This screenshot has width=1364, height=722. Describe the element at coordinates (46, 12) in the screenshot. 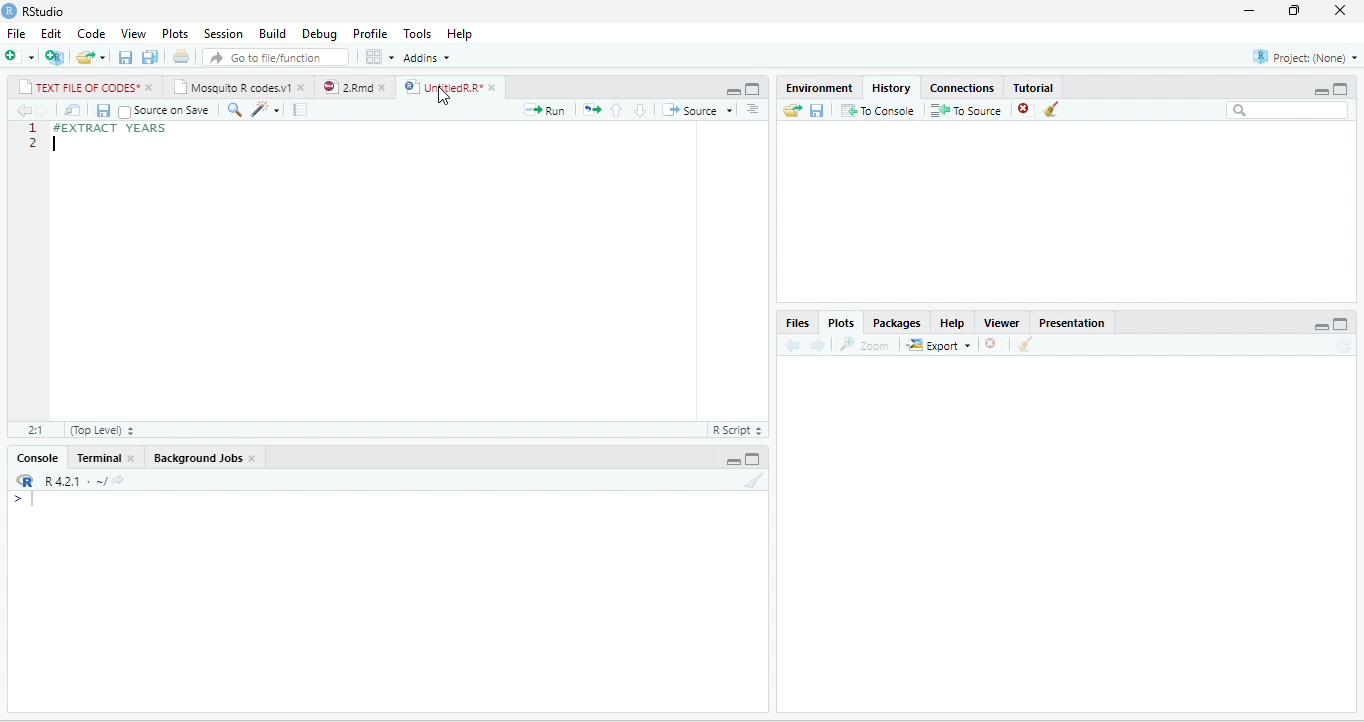

I see `RStudio` at that location.